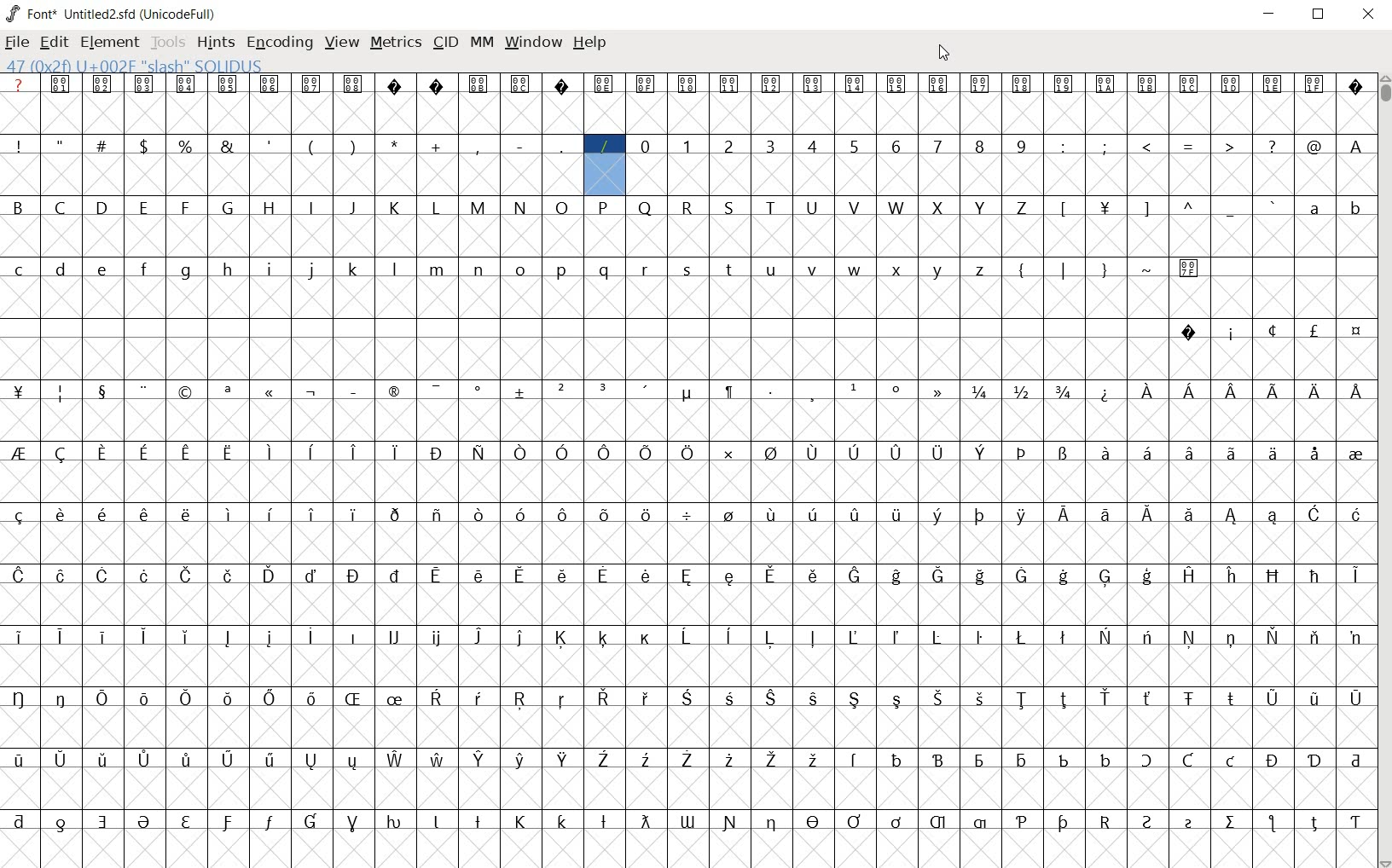  I want to click on glyph, so click(395, 208).